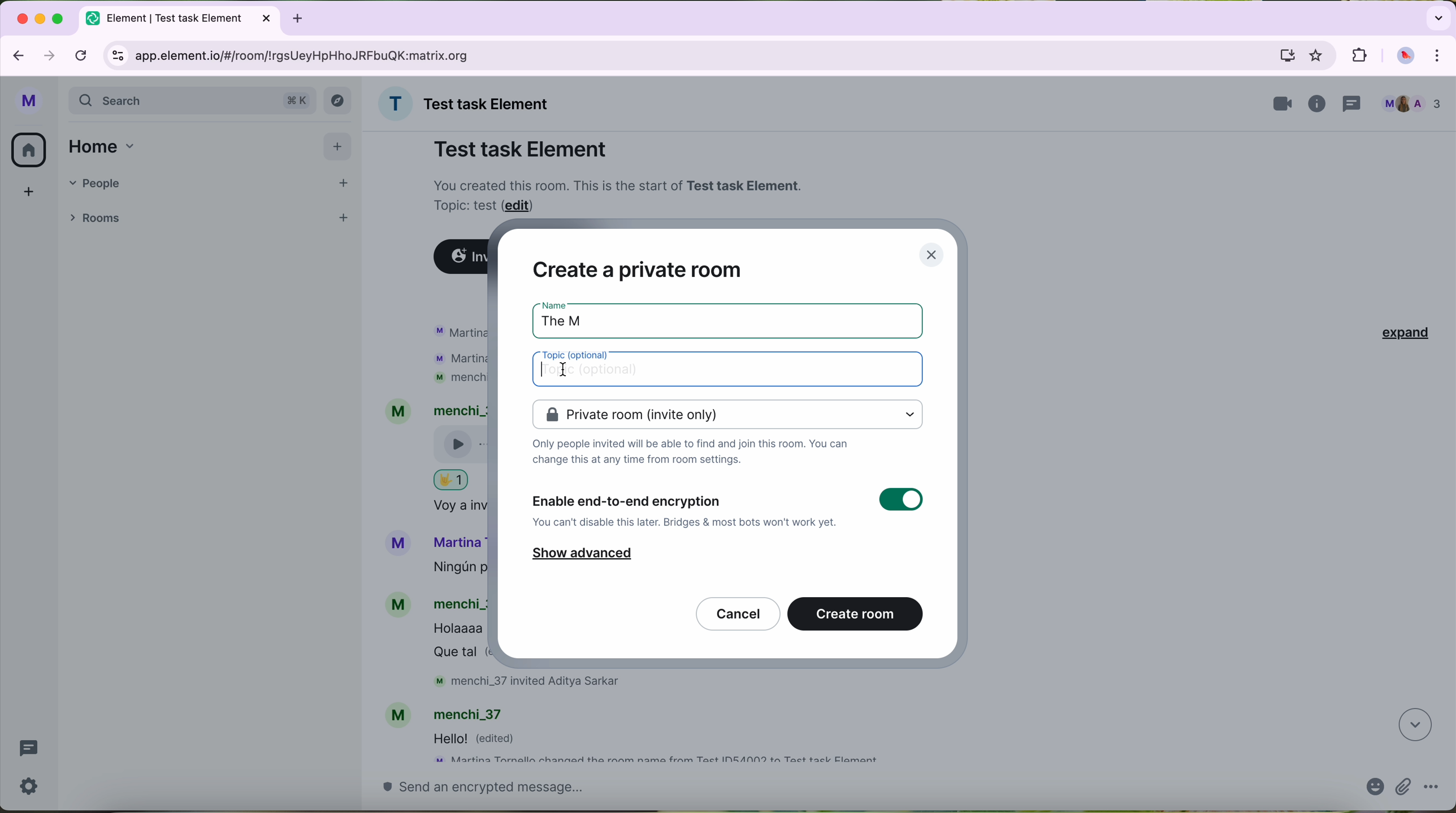 Image resolution: width=1456 pixels, height=813 pixels. I want to click on videocall, so click(1283, 104).